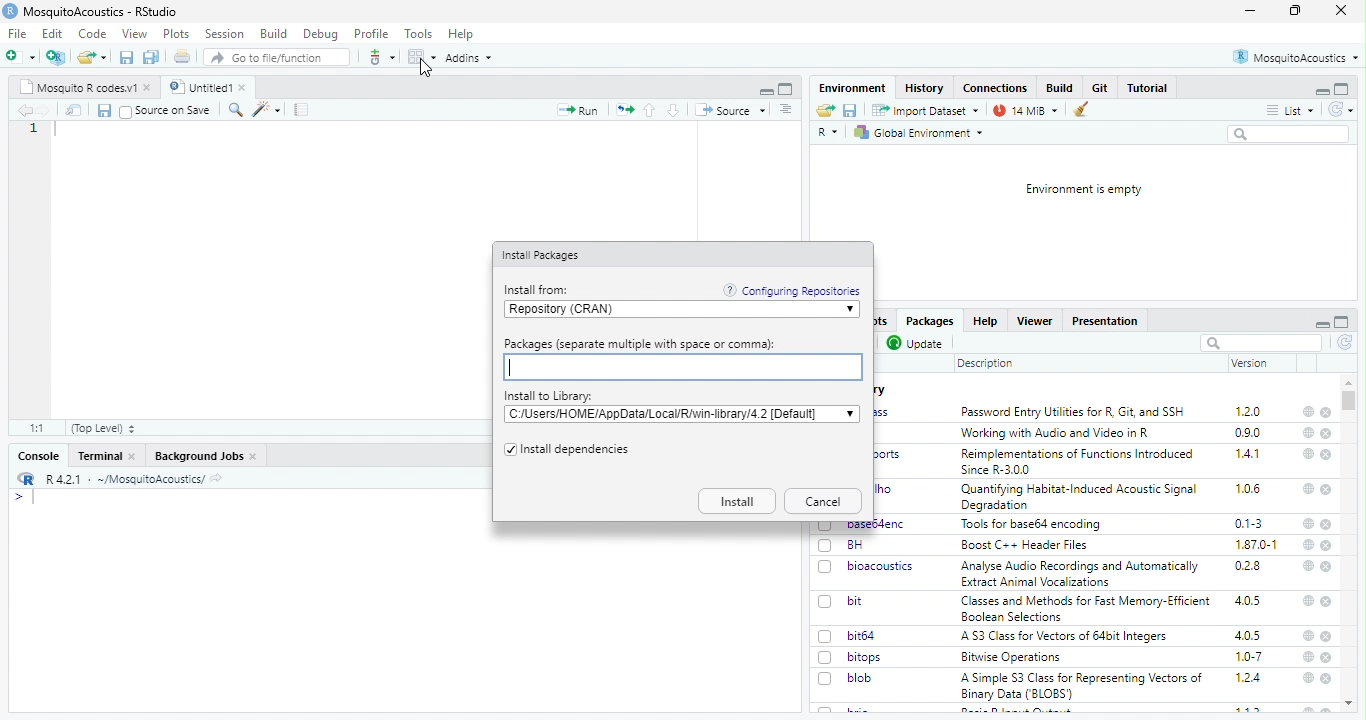 The height and width of the screenshot is (720, 1366). I want to click on 1870-1, so click(1257, 545).